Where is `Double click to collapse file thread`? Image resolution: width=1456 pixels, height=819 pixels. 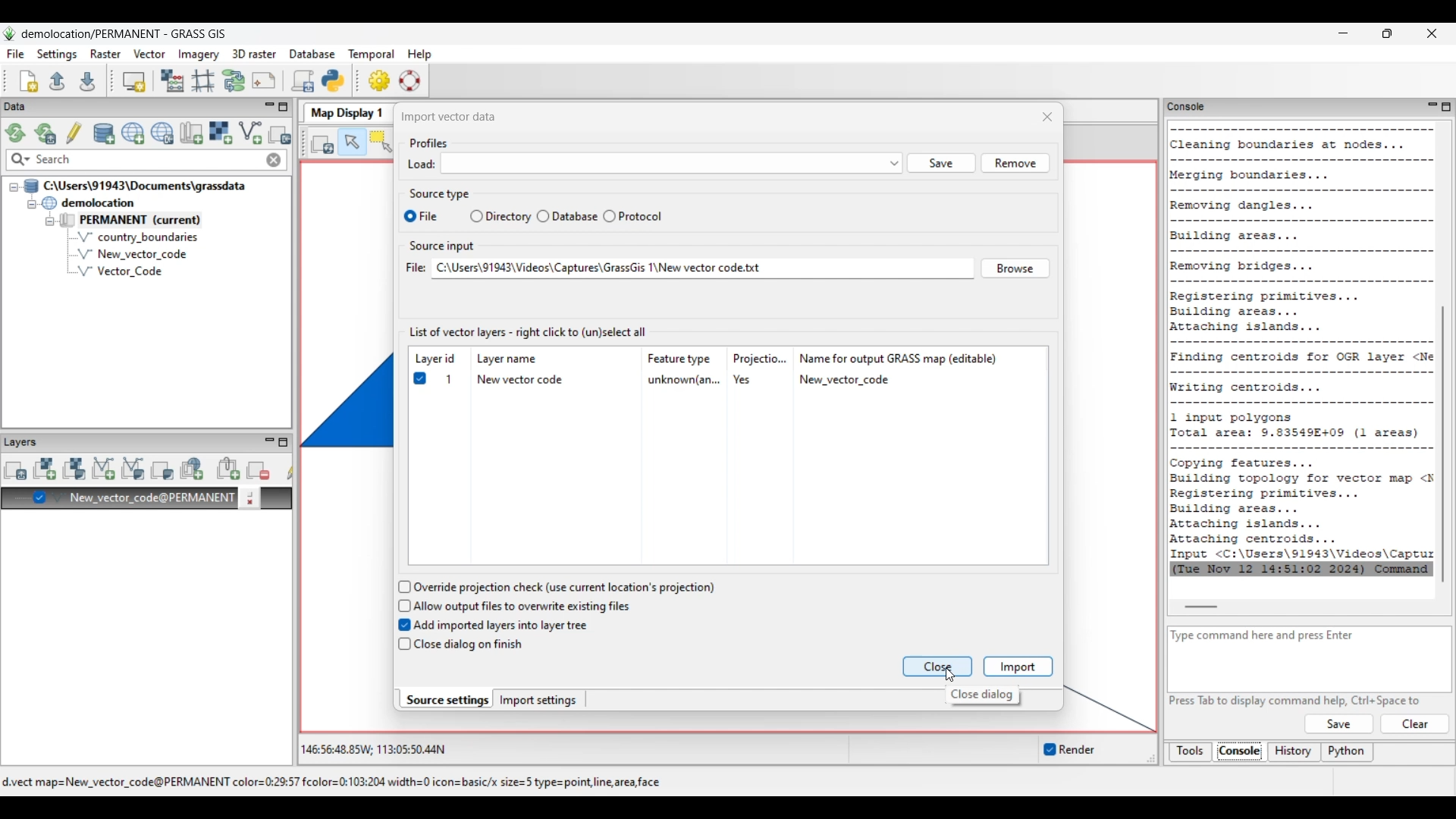
Double click to collapse file thread is located at coordinates (135, 186).